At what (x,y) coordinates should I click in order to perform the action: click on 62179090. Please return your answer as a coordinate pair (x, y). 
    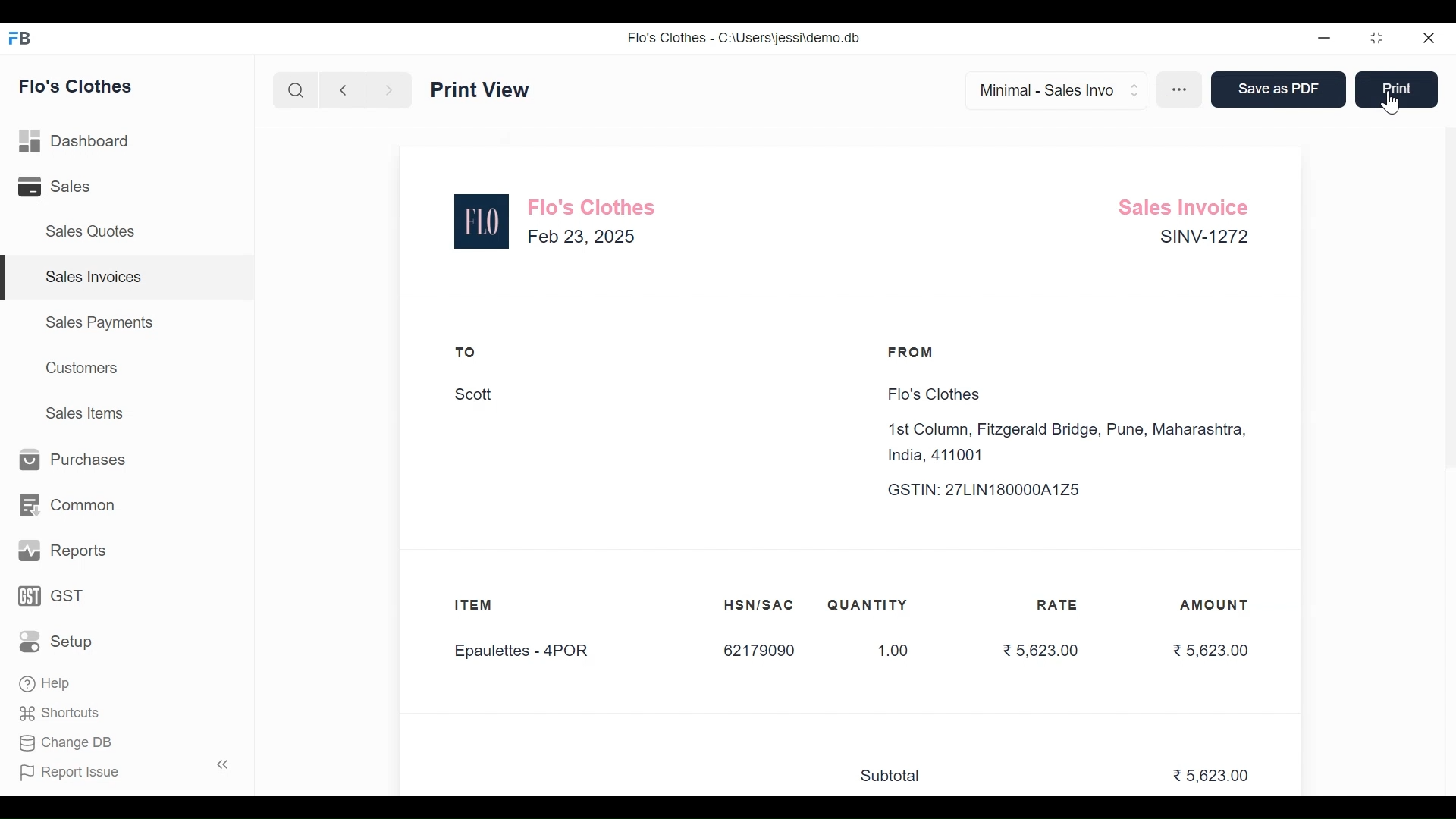
    Looking at the image, I should click on (758, 651).